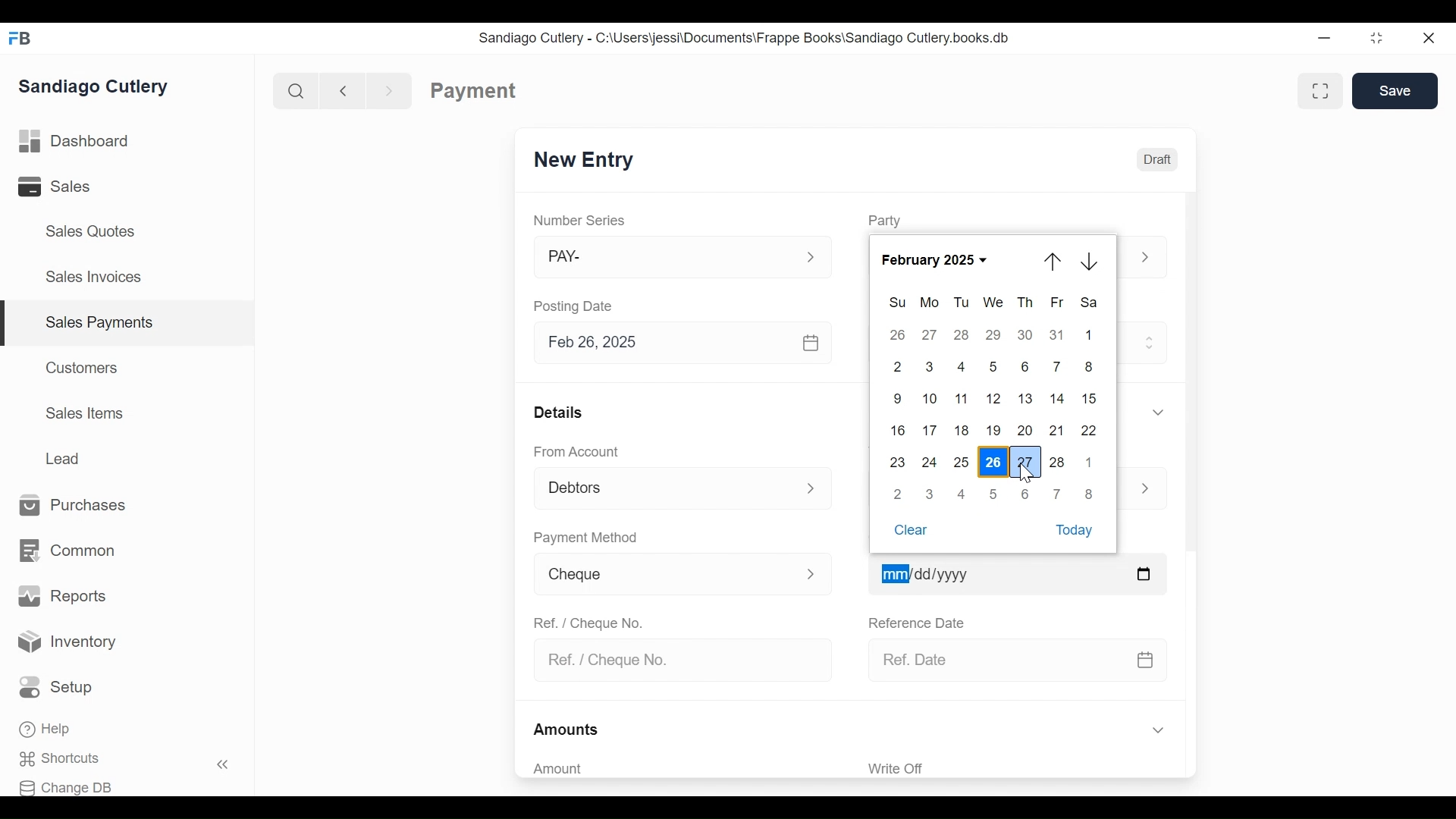 The height and width of the screenshot is (819, 1456). I want to click on 7, so click(1058, 494).